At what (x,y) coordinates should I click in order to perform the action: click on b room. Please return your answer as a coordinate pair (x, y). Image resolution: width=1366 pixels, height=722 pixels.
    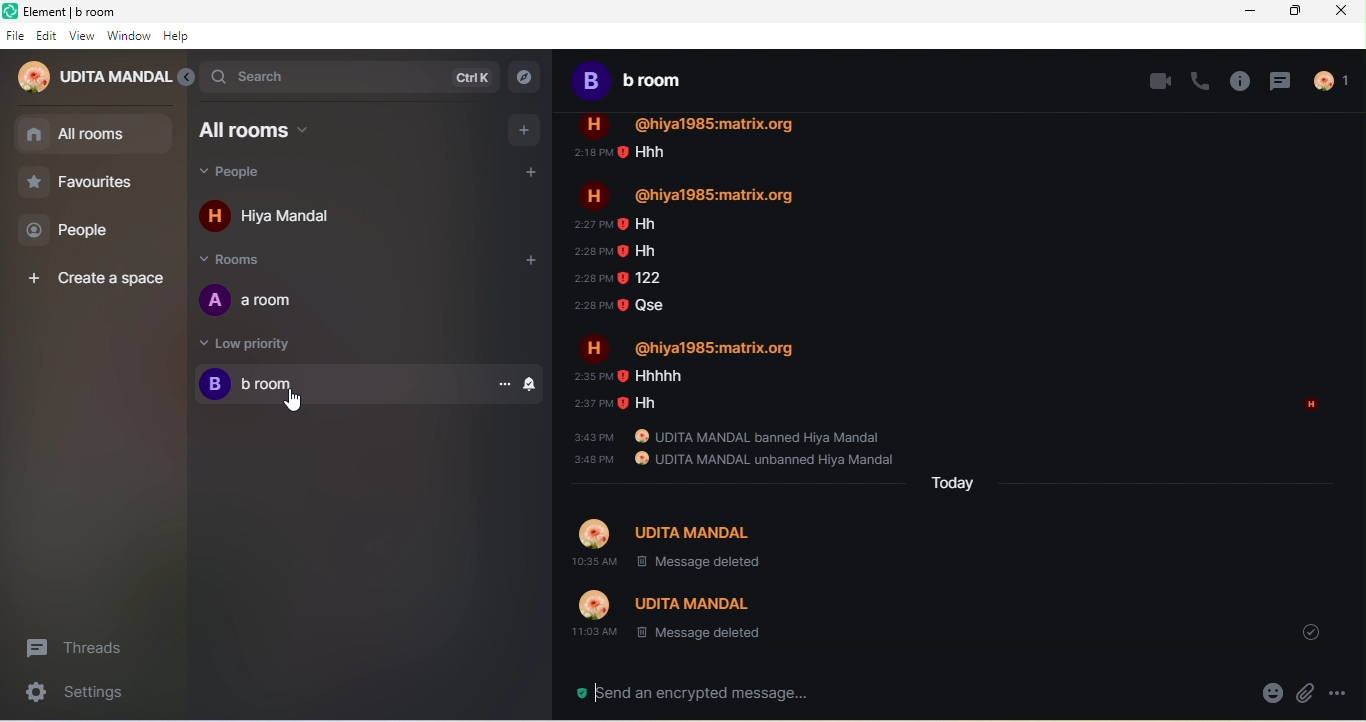
    Looking at the image, I should click on (641, 85).